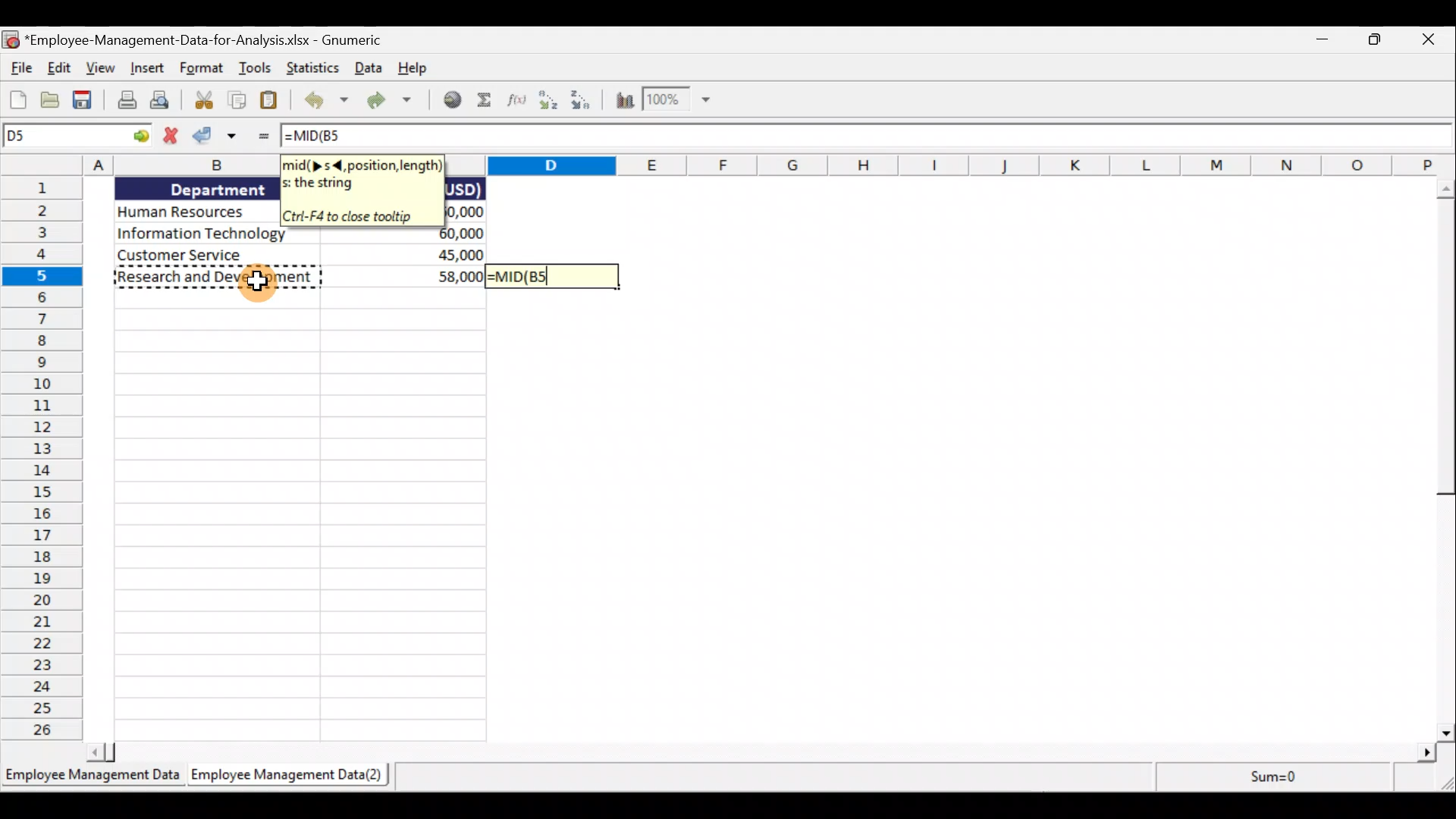  I want to click on Open a file, so click(52, 99).